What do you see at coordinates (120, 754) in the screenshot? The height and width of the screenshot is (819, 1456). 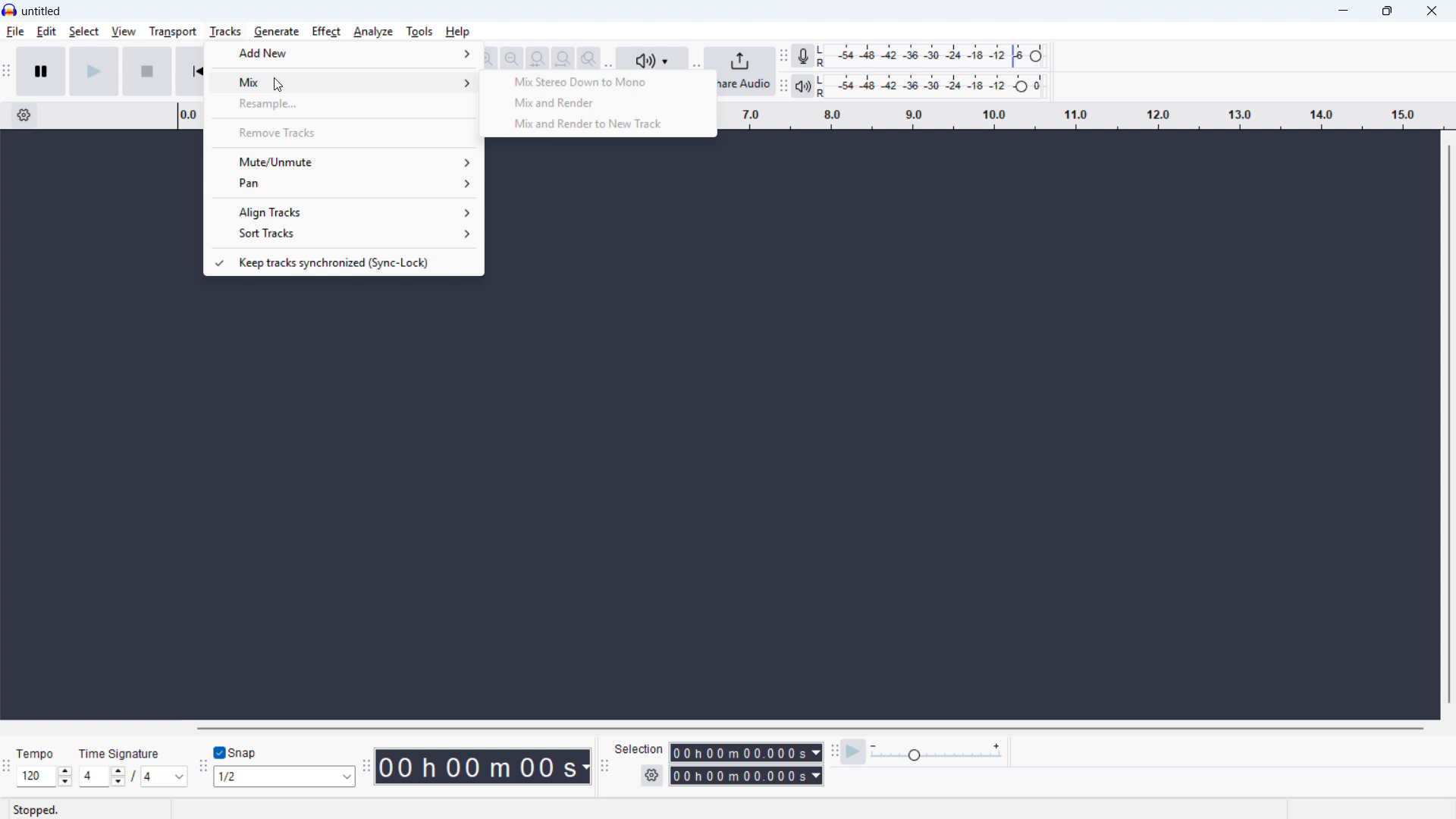 I see `time signature` at bounding box center [120, 754].